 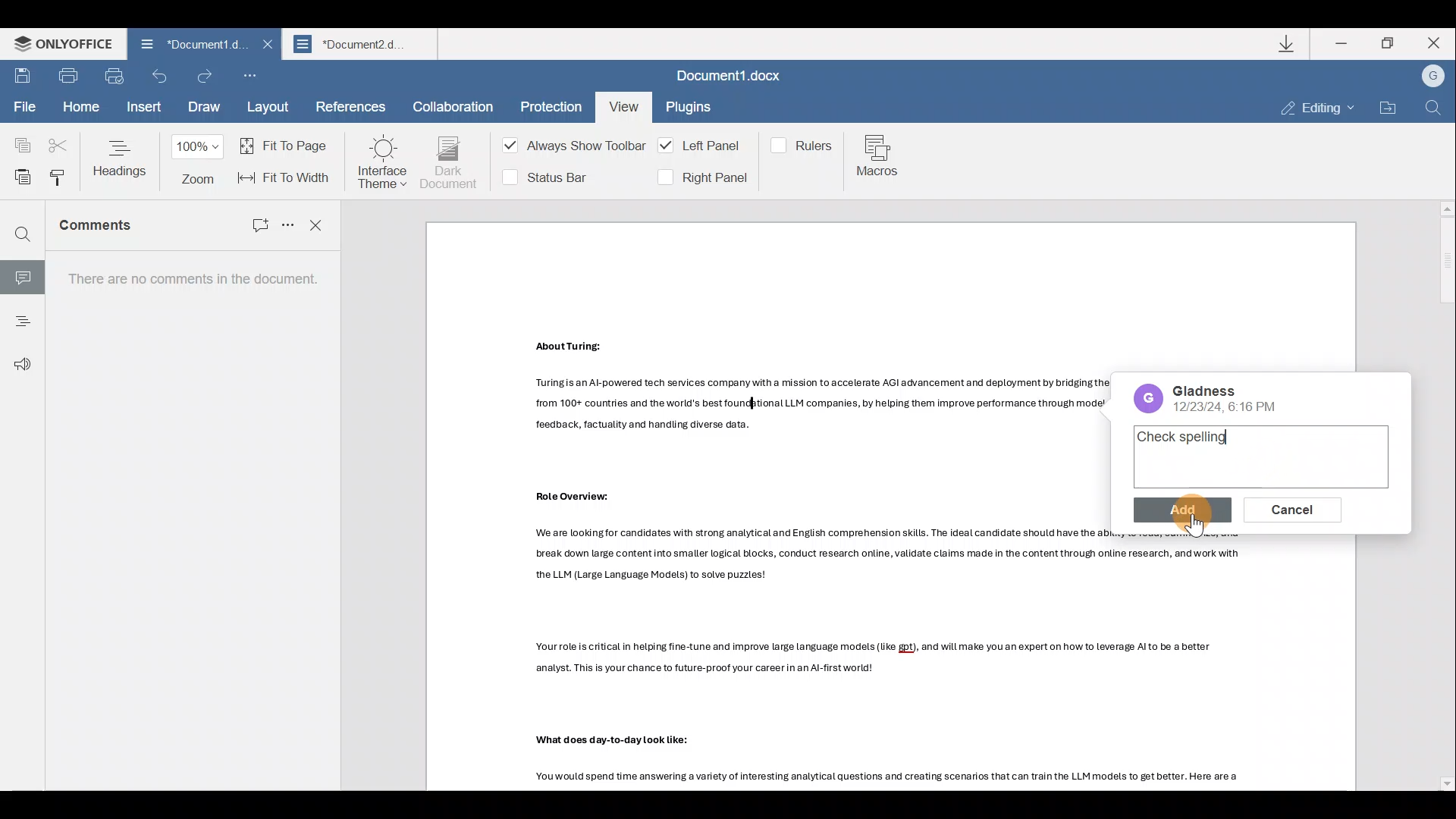 What do you see at coordinates (1189, 520) in the screenshot?
I see `Cursor` at bounding box center [1189, 520].